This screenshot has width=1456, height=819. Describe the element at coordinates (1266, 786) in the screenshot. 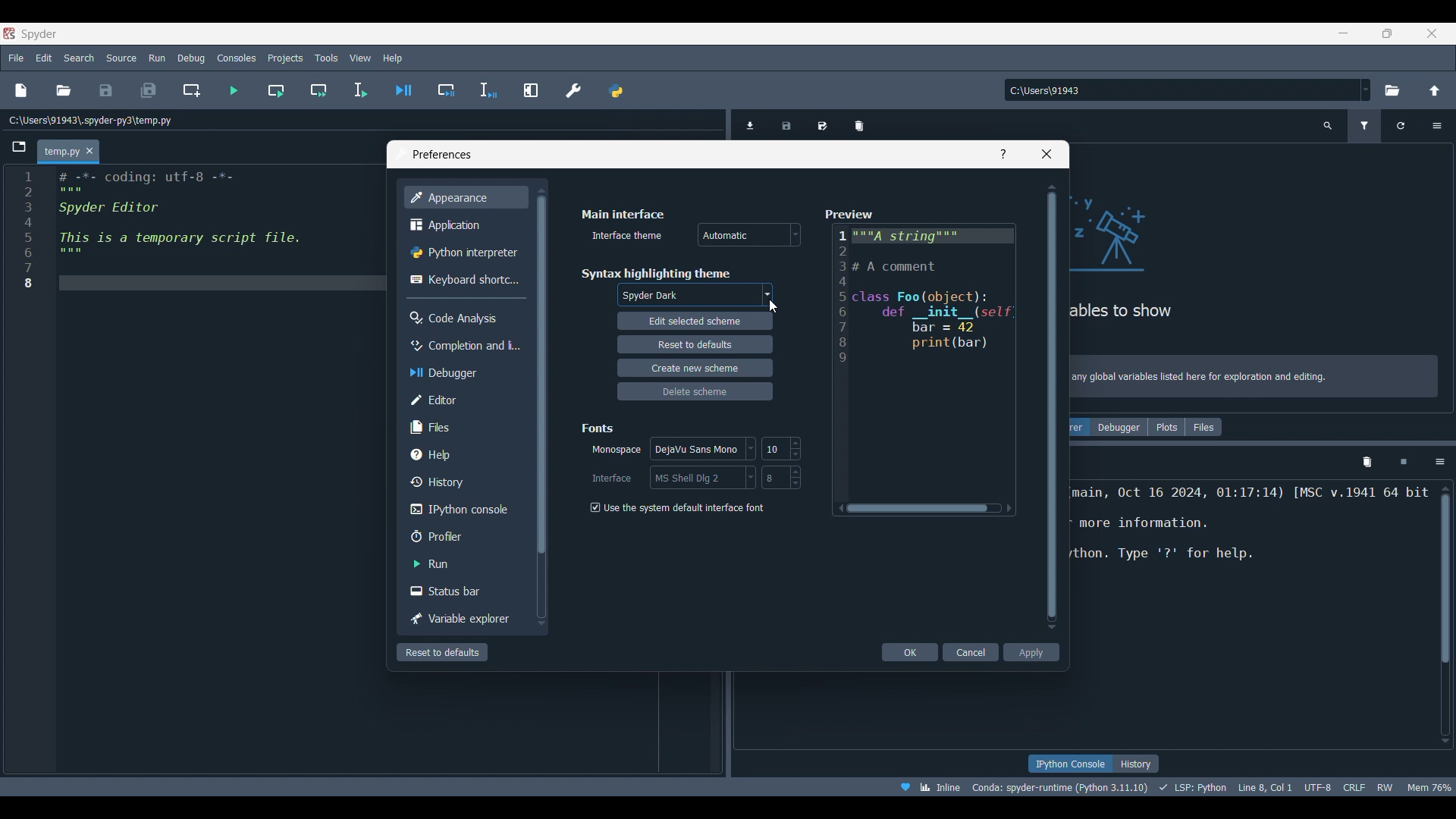

I see `cursor details` at that location.